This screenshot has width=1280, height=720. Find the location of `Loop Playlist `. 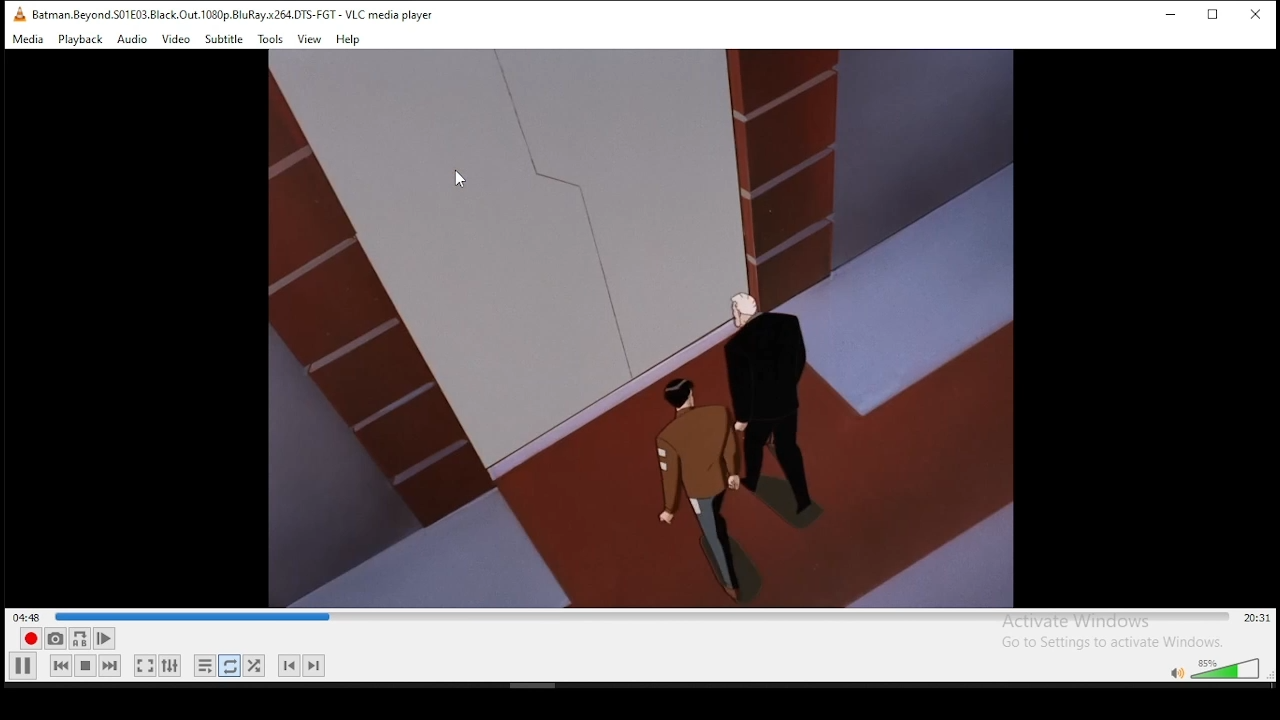

Loop Playlist  is located at coordinates (206, 668).